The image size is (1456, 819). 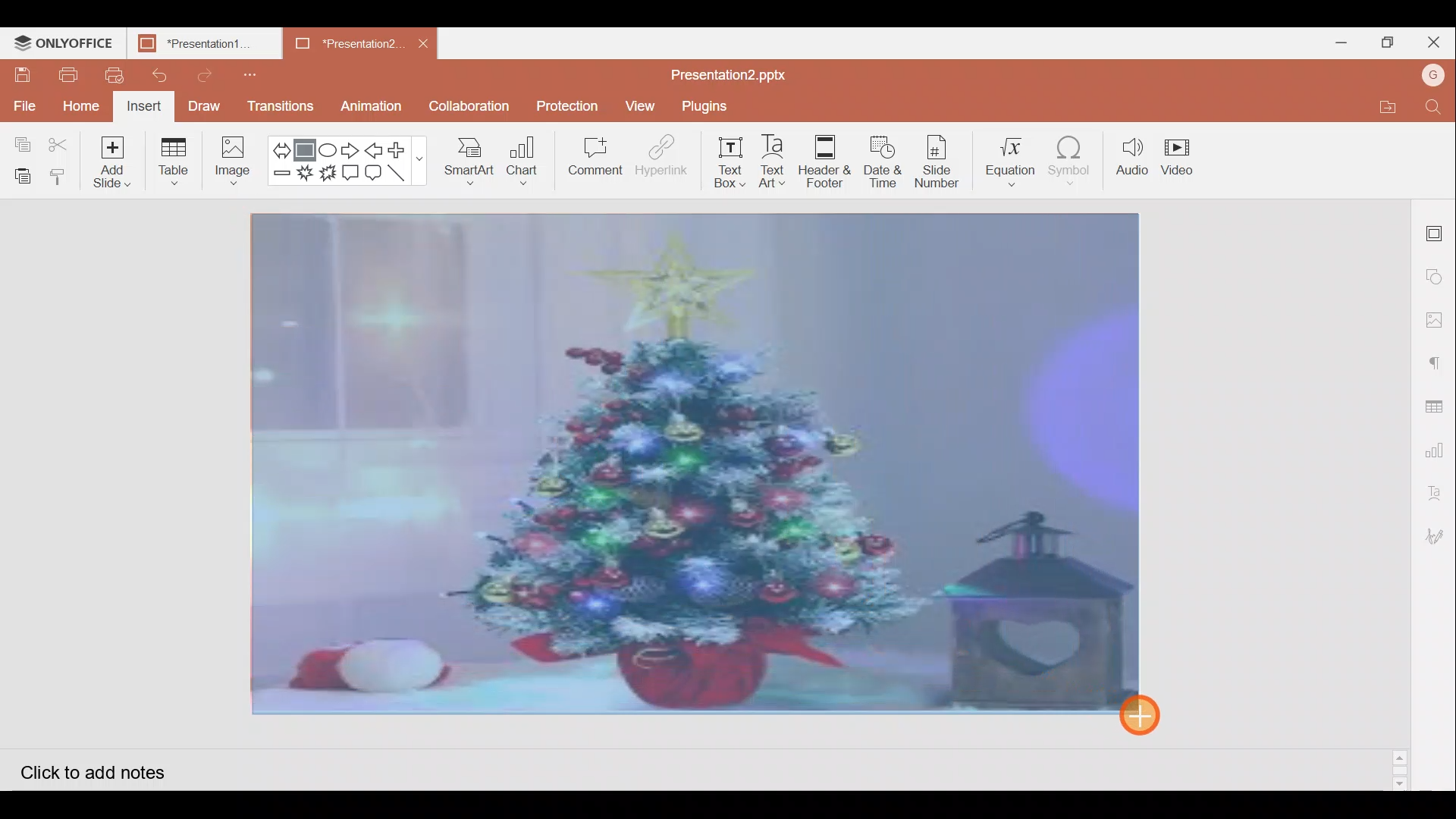 I want to click on Slide settings, so click(x=1437, y=229).